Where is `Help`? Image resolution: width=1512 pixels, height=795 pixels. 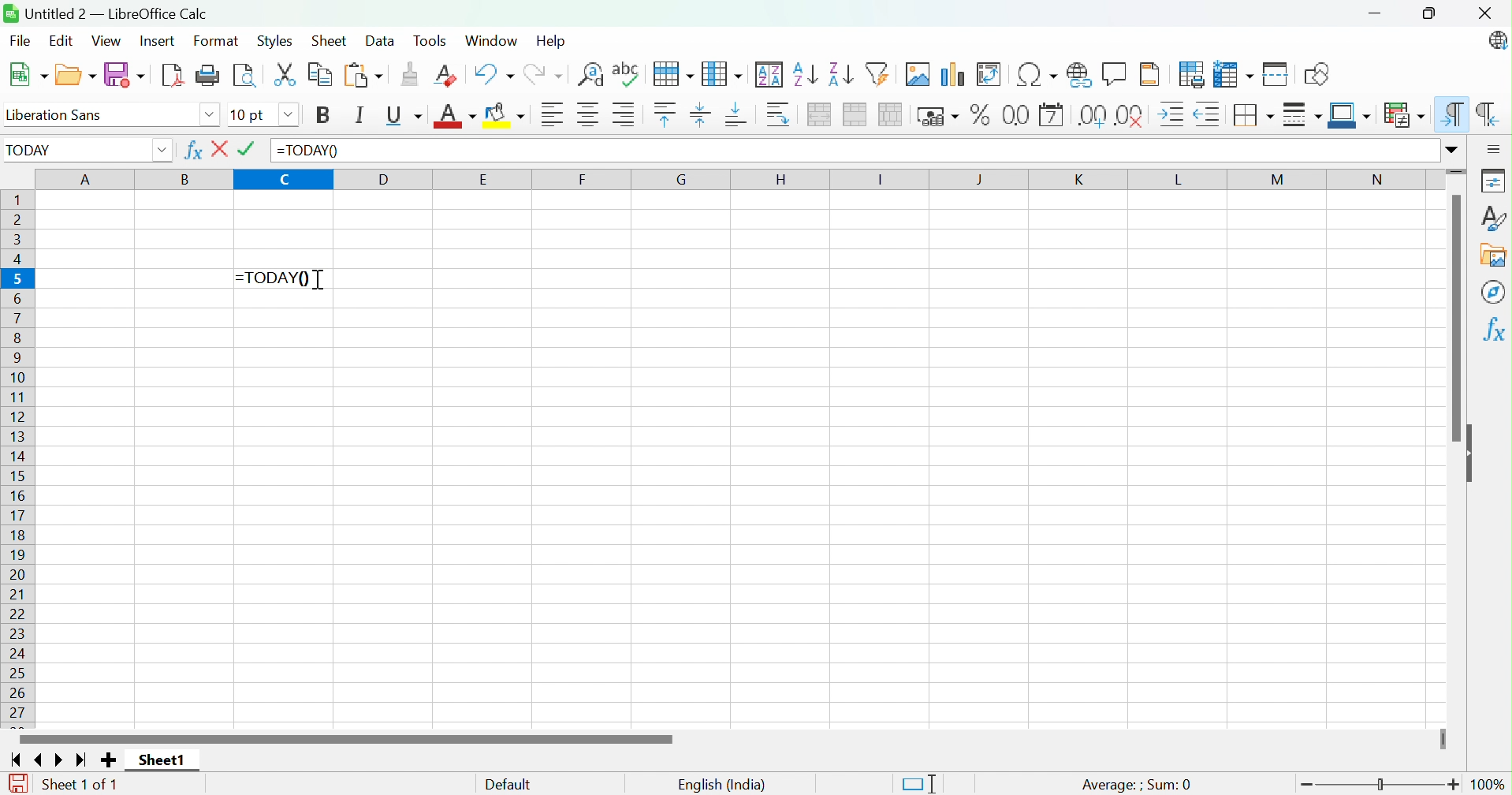
Help is located at coordinates (551, 39).